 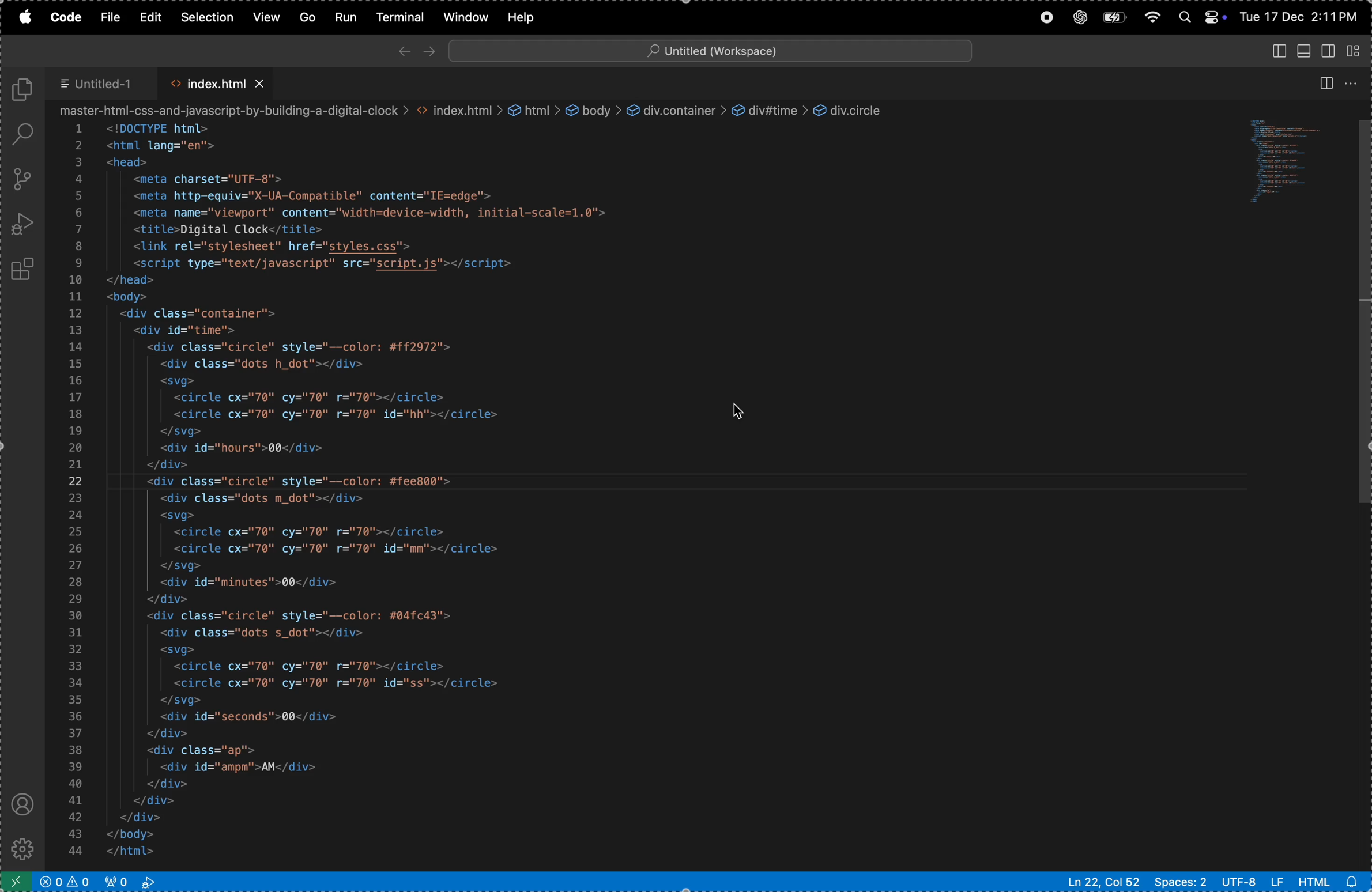 I want to click on utf -8 lf, so click(x=1252, y=882).